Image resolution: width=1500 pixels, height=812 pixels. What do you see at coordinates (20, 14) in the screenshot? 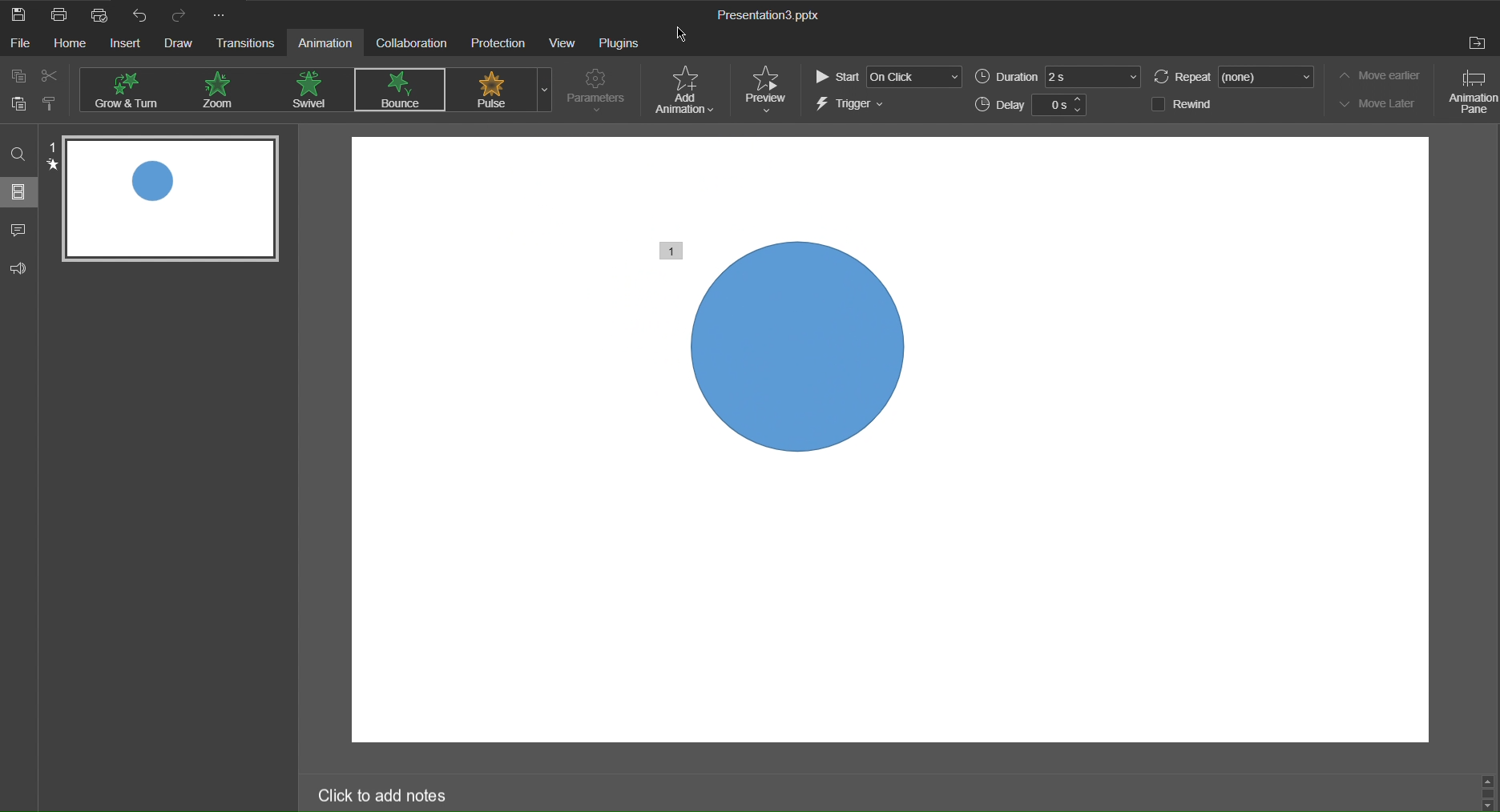
I see `Save` at bounding box center [20, 14].